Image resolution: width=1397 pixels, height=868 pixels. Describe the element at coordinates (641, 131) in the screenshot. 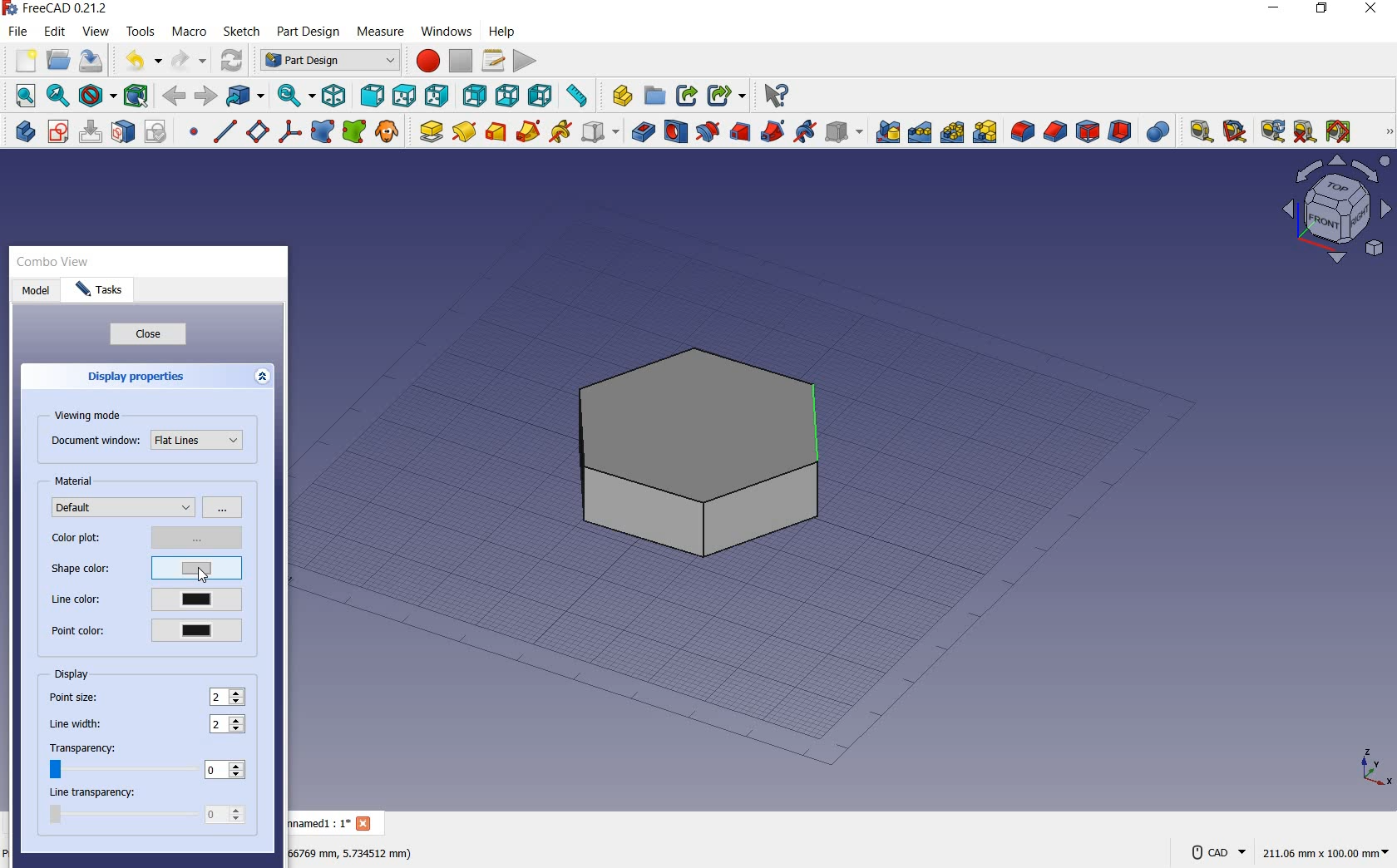

I see `pocket` at that location.